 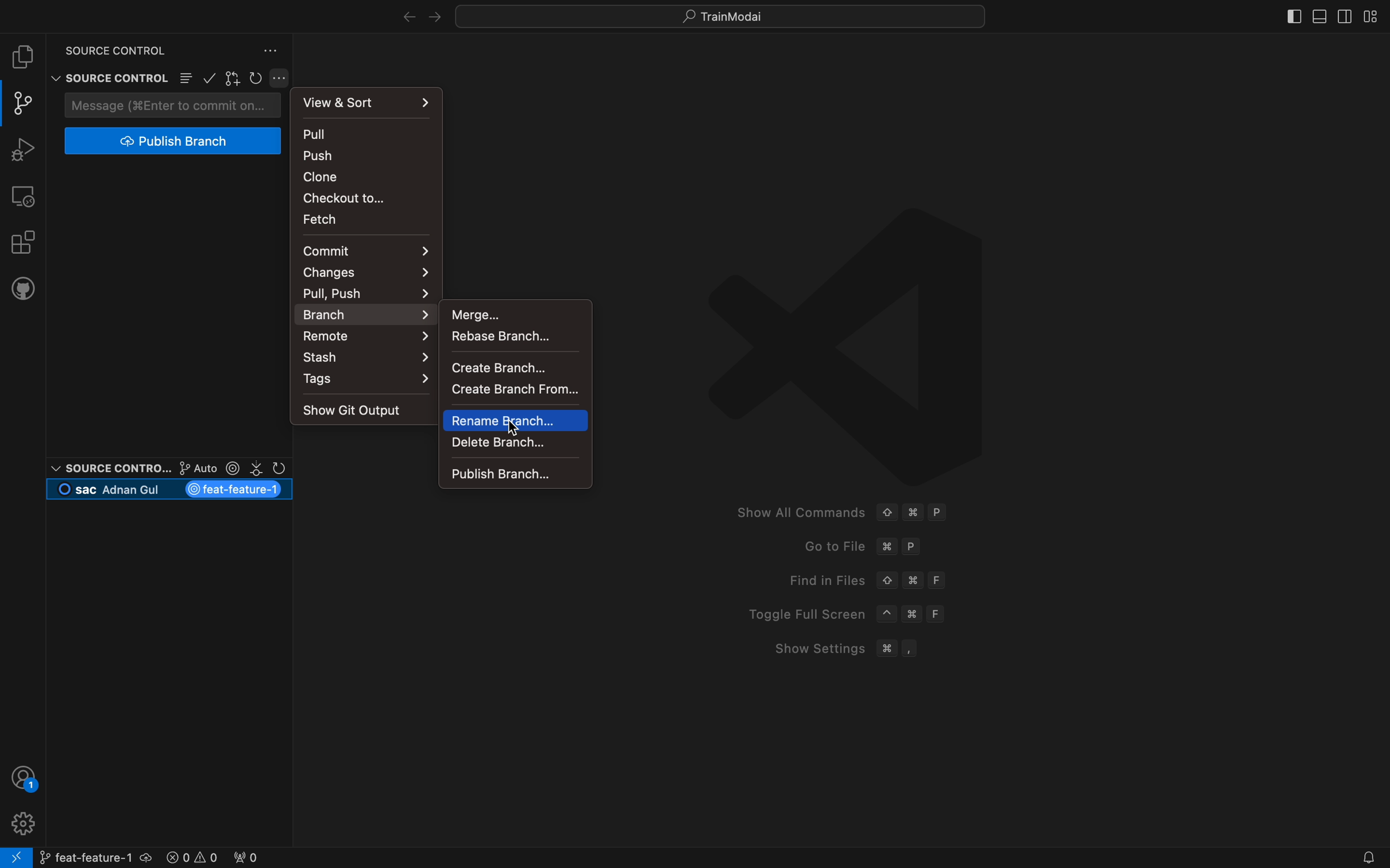 What do you see at coordinates (213, 855) in the screenshot?
I see `error logs` at bounding box center [213, 855].